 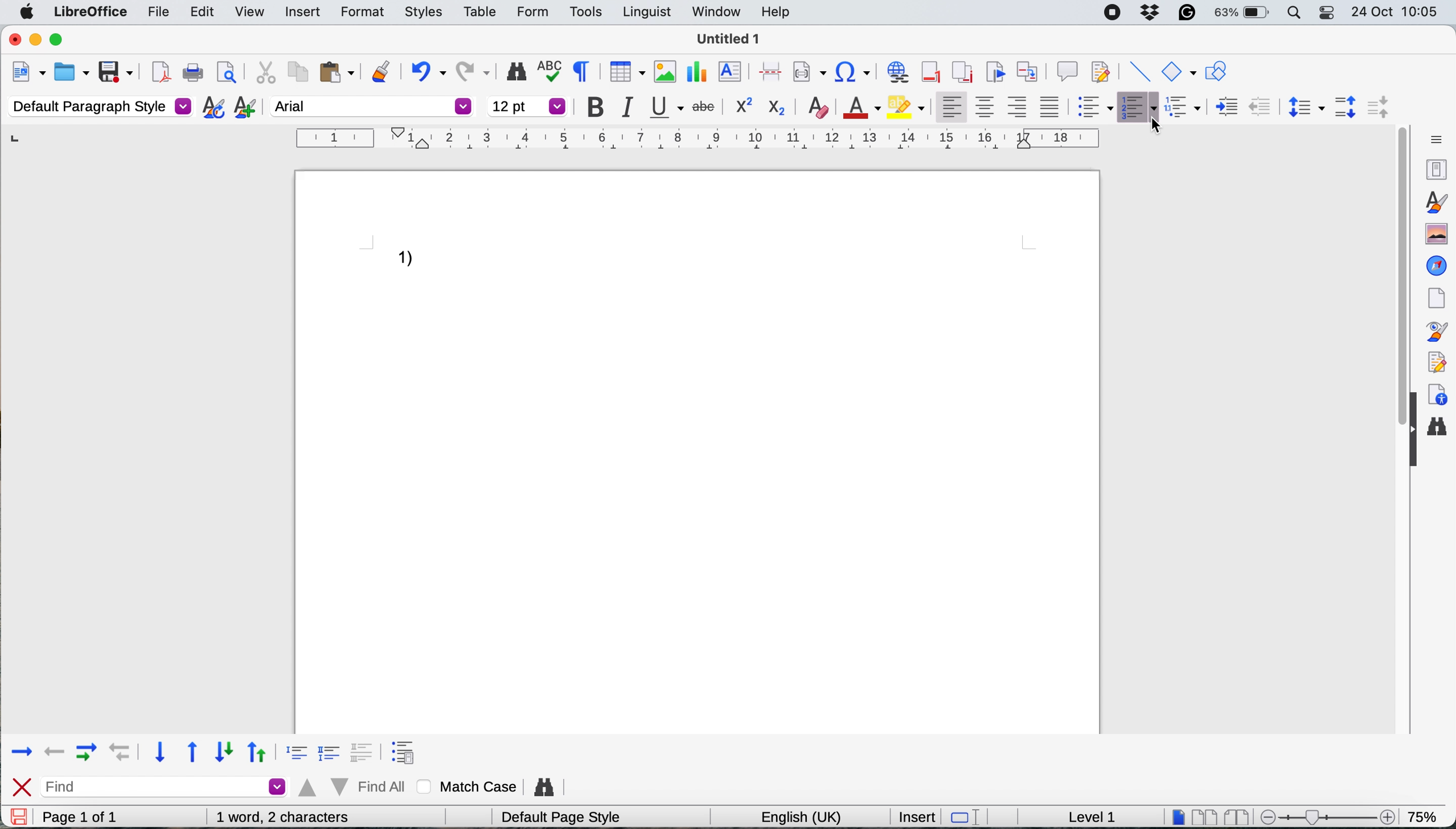 What do you see at coordinates (585, 12) in the screenshot?
I see `tools` at bounding box center [585, 12].